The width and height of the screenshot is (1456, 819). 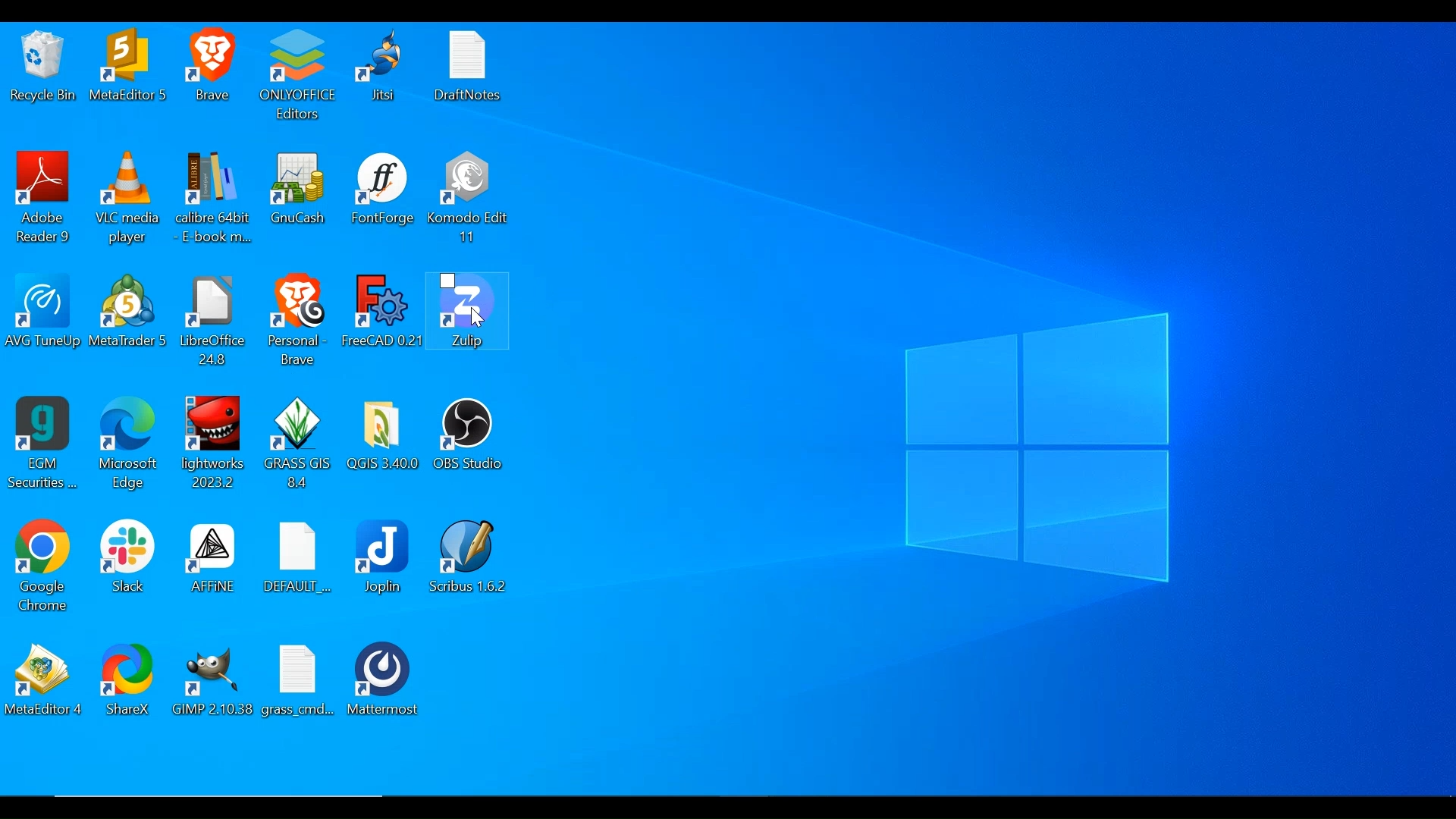 I want to click on Scribus Desktop icon, so click(x=471, y=557).